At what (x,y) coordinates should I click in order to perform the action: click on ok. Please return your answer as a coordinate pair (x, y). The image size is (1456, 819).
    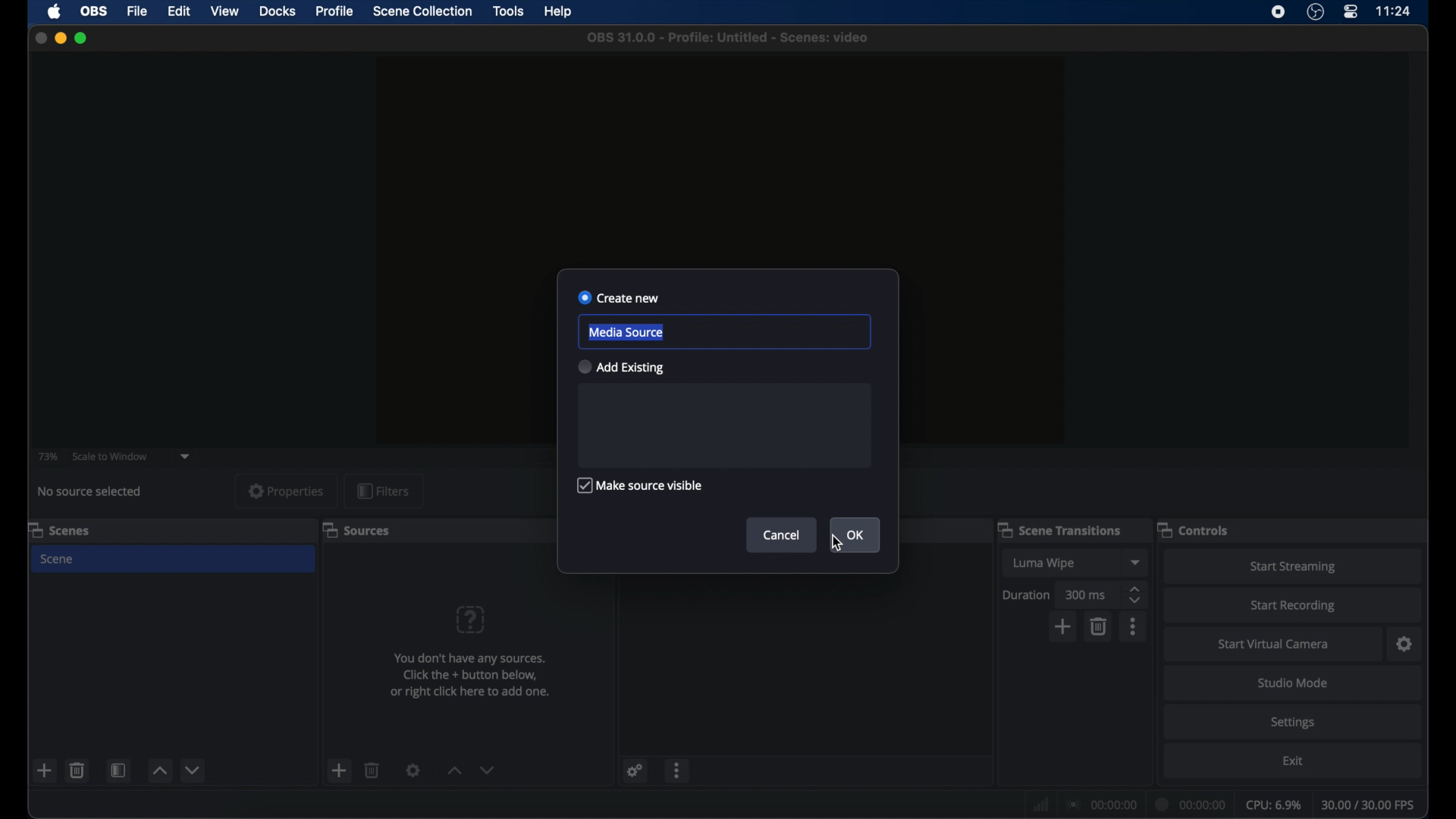
    Looking at the image, I should click on (855, 535).